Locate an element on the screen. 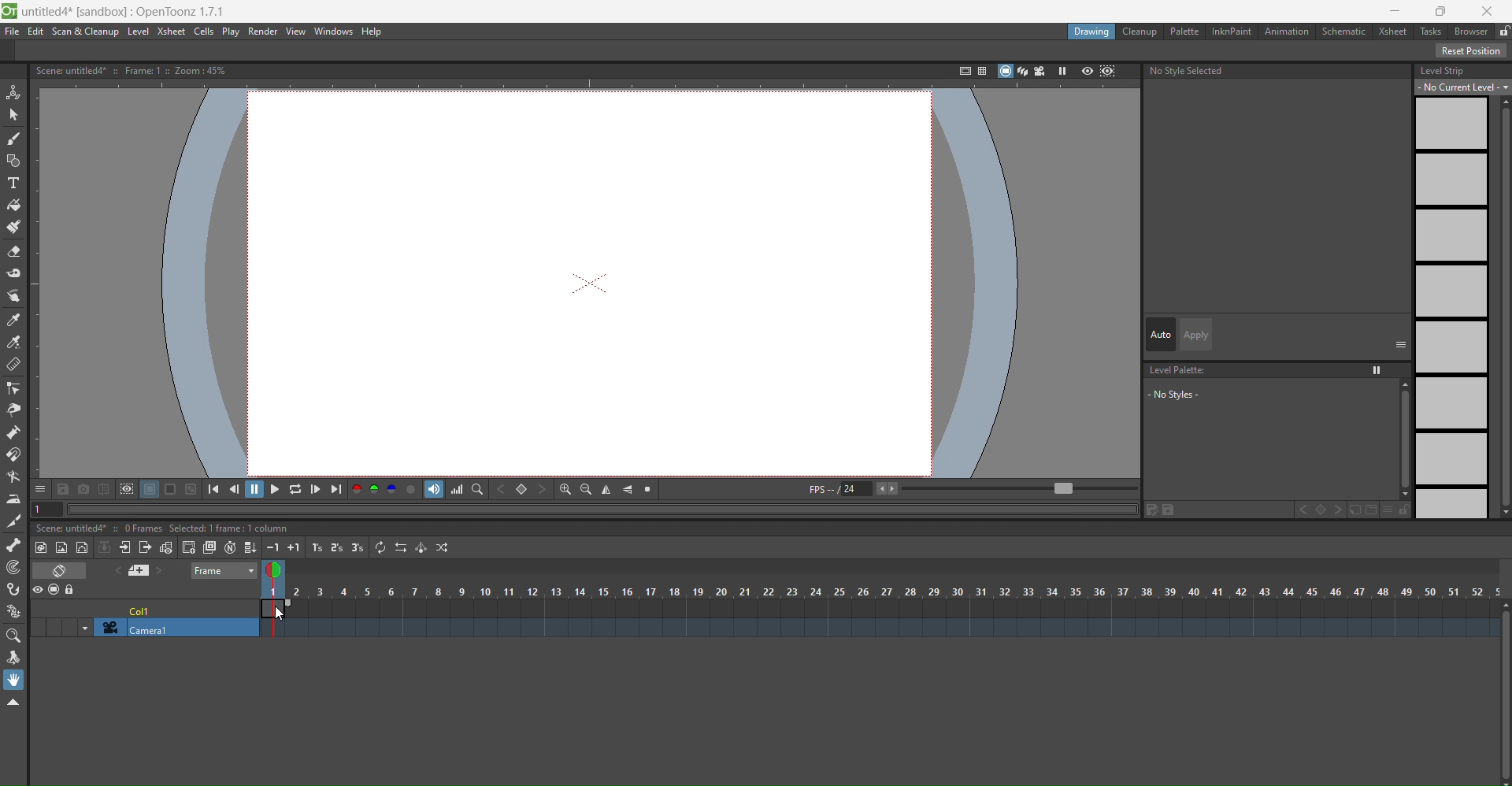 The image size is (1512, 786). reverse is located at coordinates (400, 547).